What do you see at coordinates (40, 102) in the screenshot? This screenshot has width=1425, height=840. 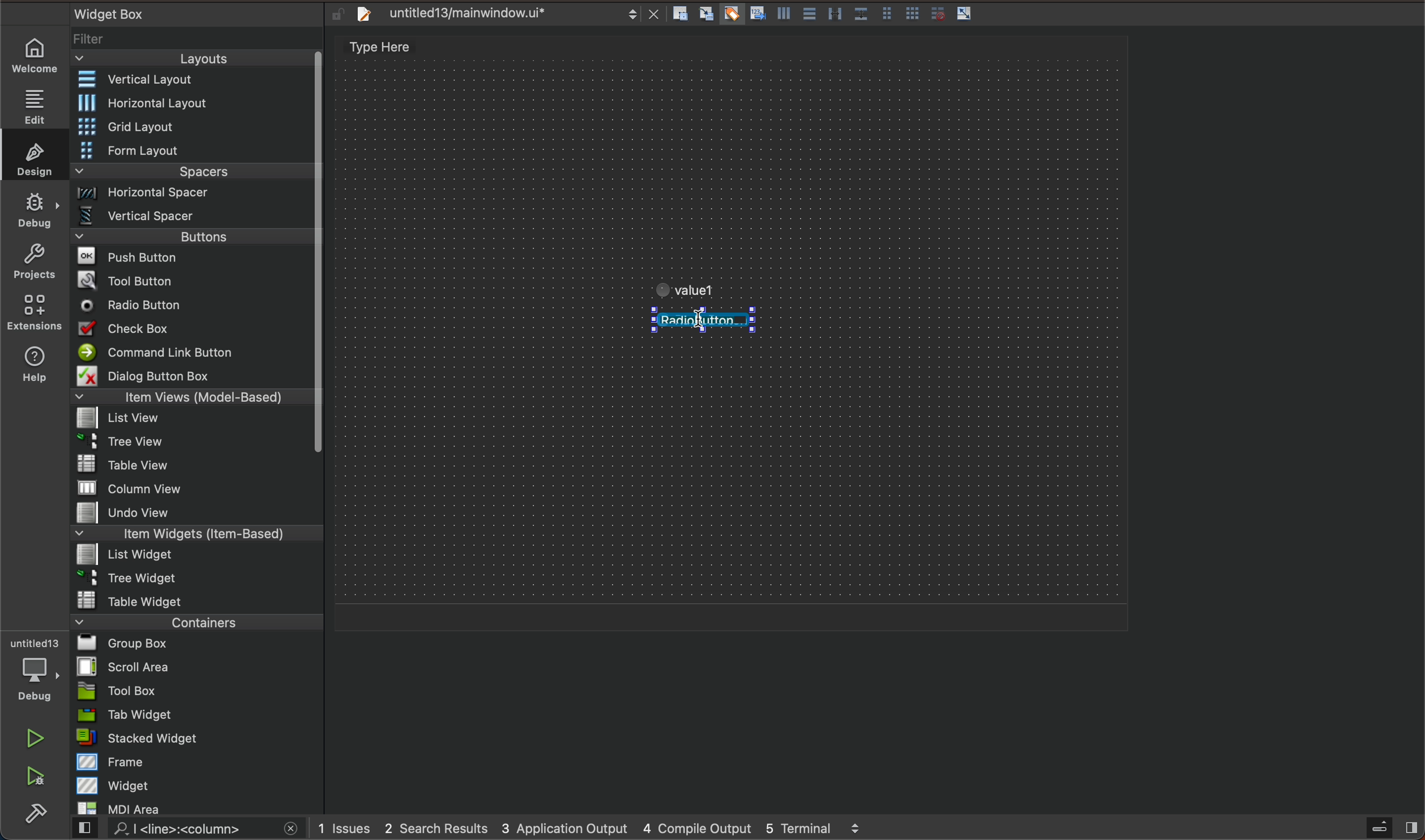 I see `edit` at bounding box center [40, 102].